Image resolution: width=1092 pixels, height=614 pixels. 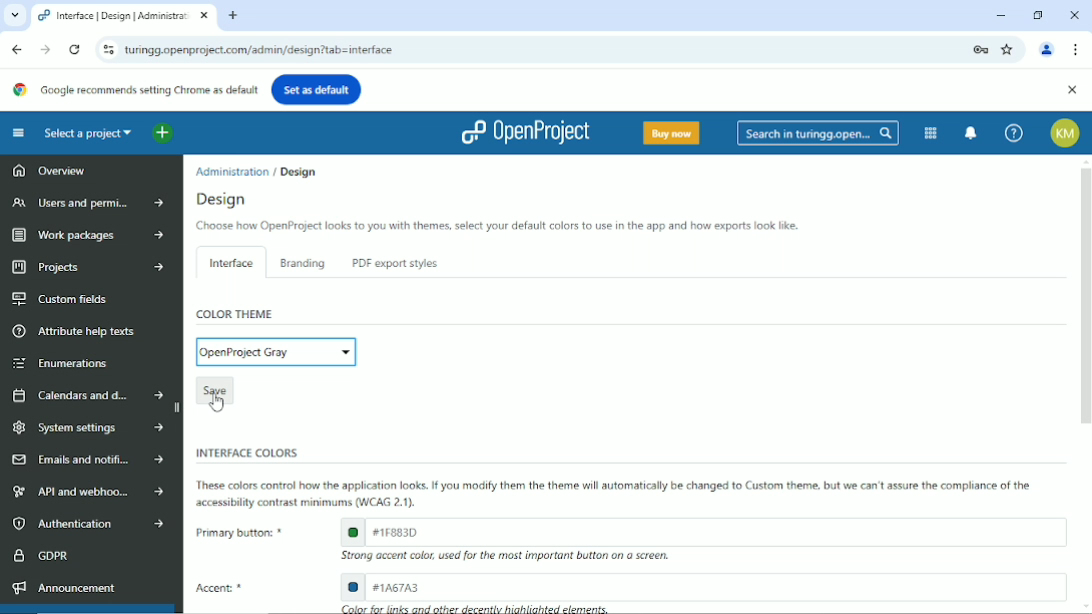 What do you see at coordinates (303, 263) in the screenshot?
I see `Branding` at bounding box center [303, 263].